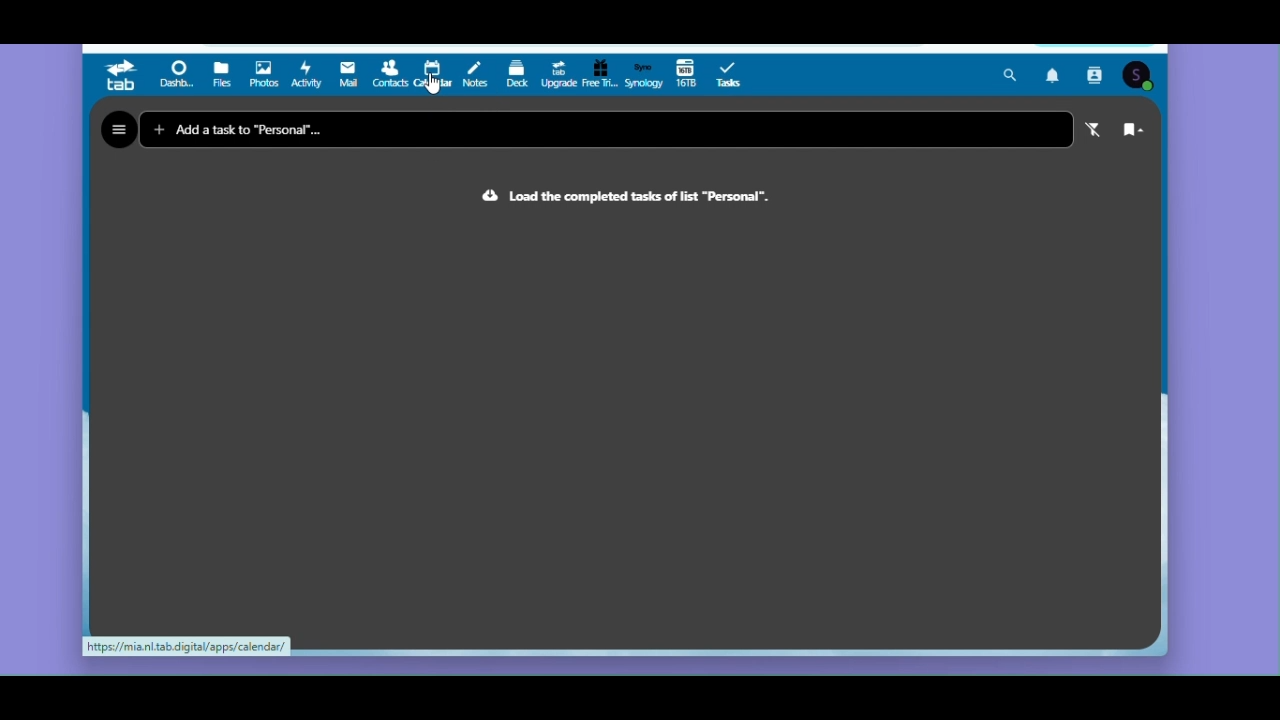  What do you see at coordinates (1055, 74) in the screenshot?
I see `Notifications` at bounding box center [1055, 74].